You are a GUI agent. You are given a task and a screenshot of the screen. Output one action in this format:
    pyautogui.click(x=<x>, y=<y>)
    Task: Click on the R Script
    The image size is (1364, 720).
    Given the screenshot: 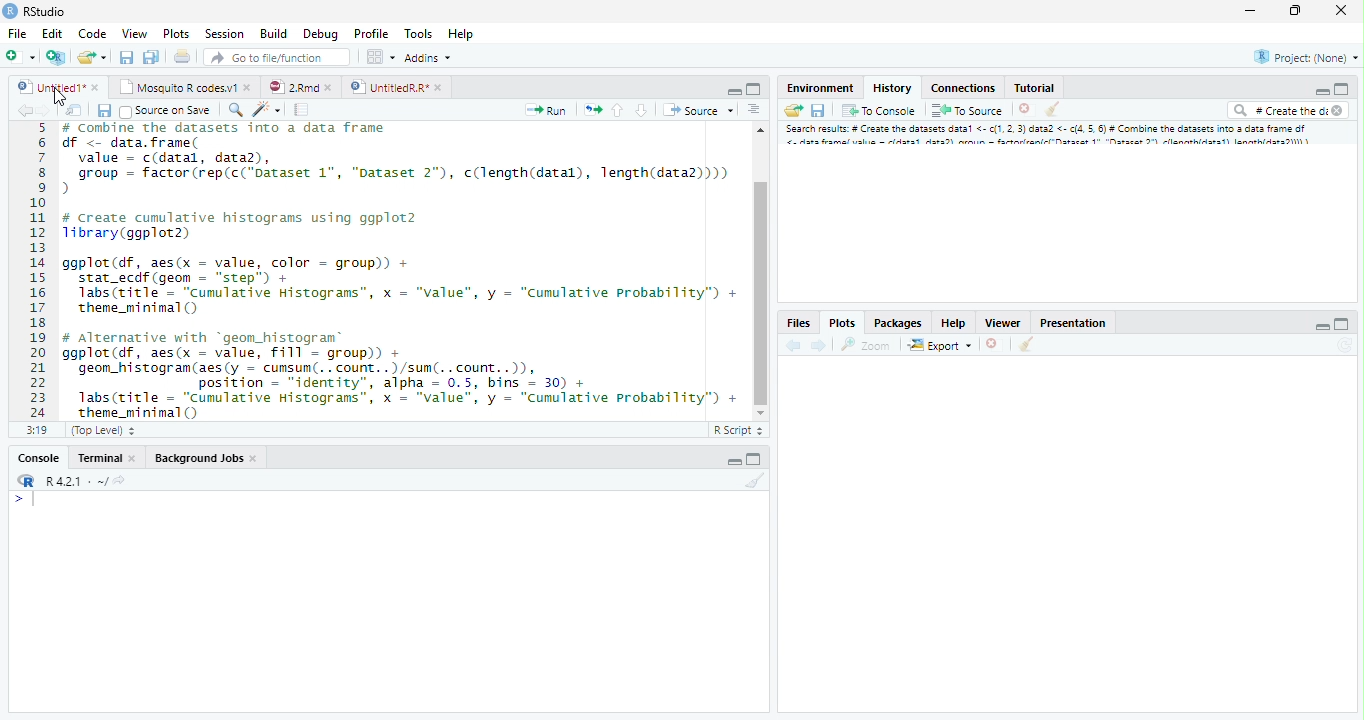 What is the action you would take?
    pyautogui.click(x=738, y=430)
    